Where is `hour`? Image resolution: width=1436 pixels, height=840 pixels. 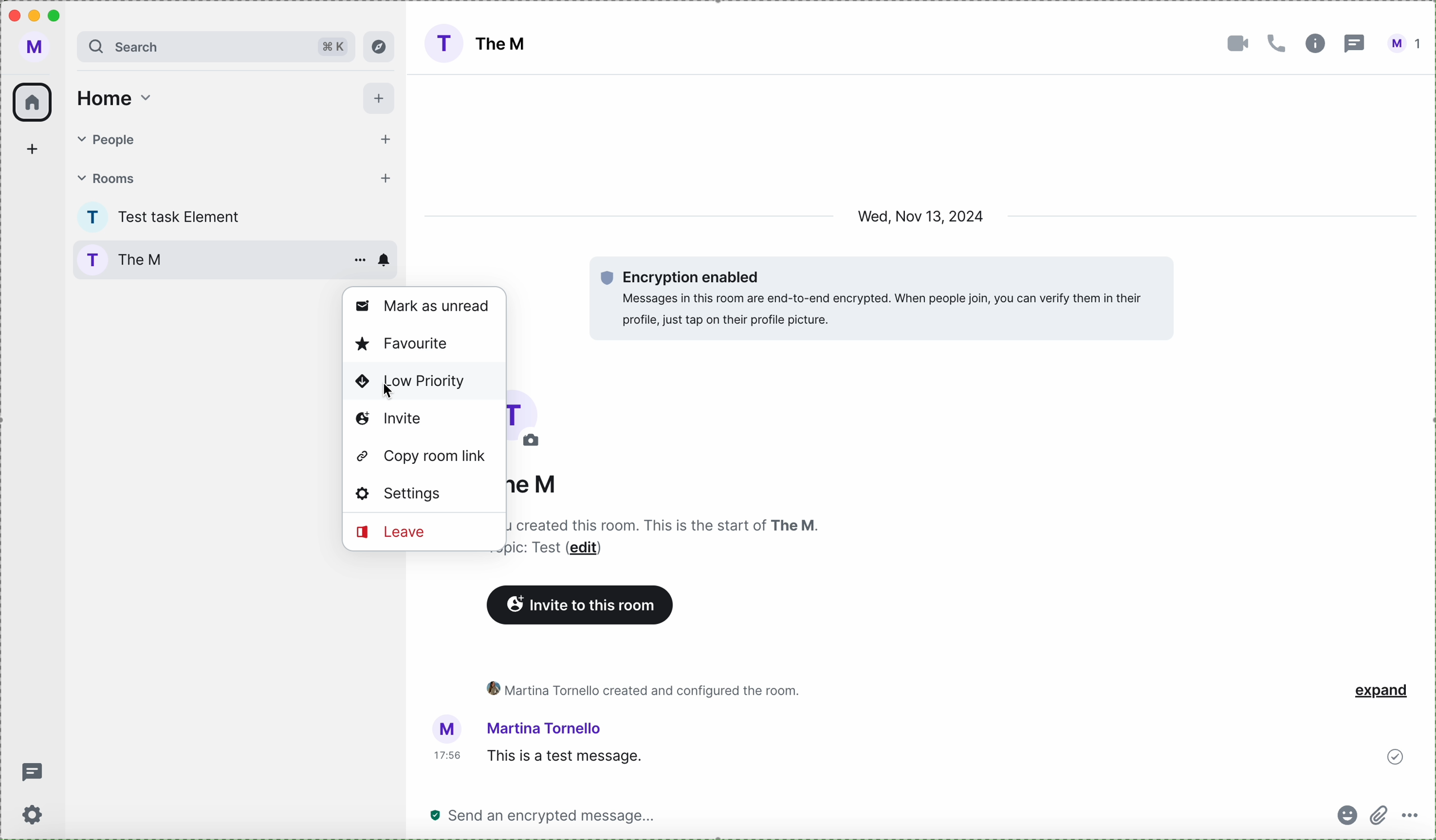
hour is located at coordinates (445, 759).